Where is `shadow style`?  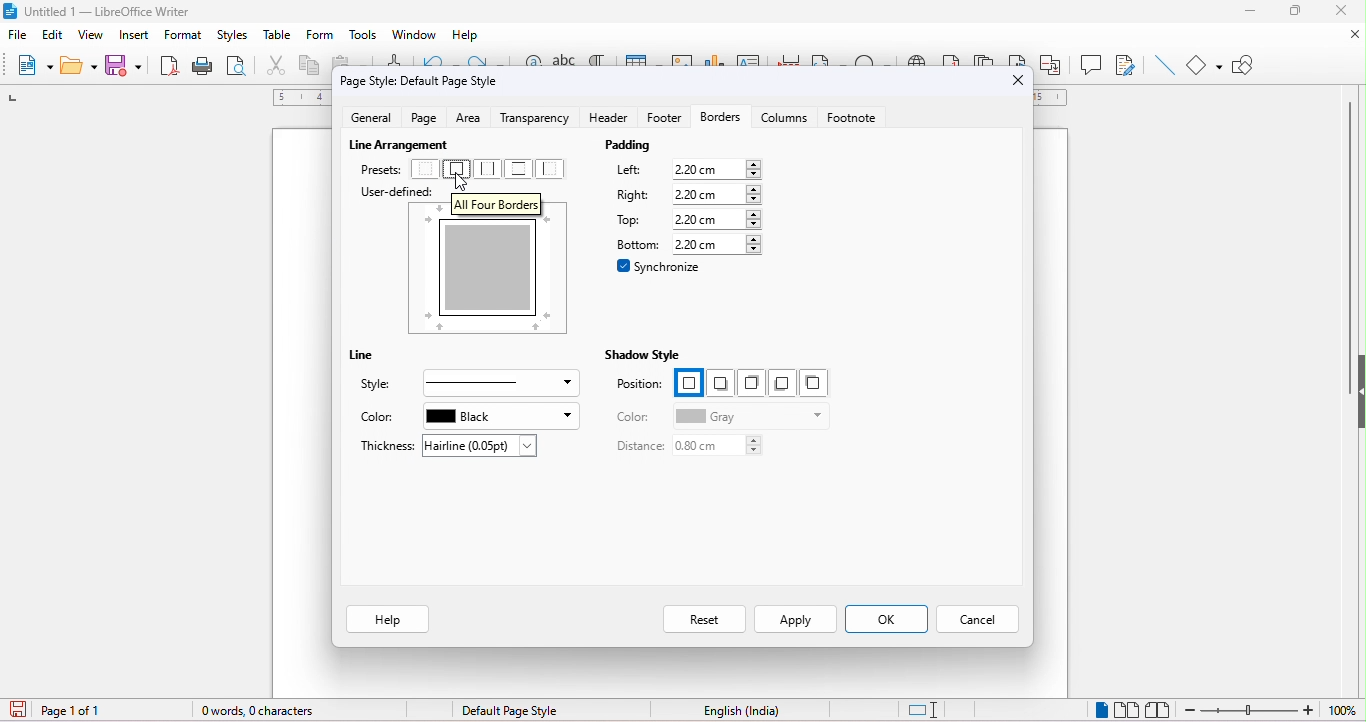 shadow style is located at coordinates (643, 355).